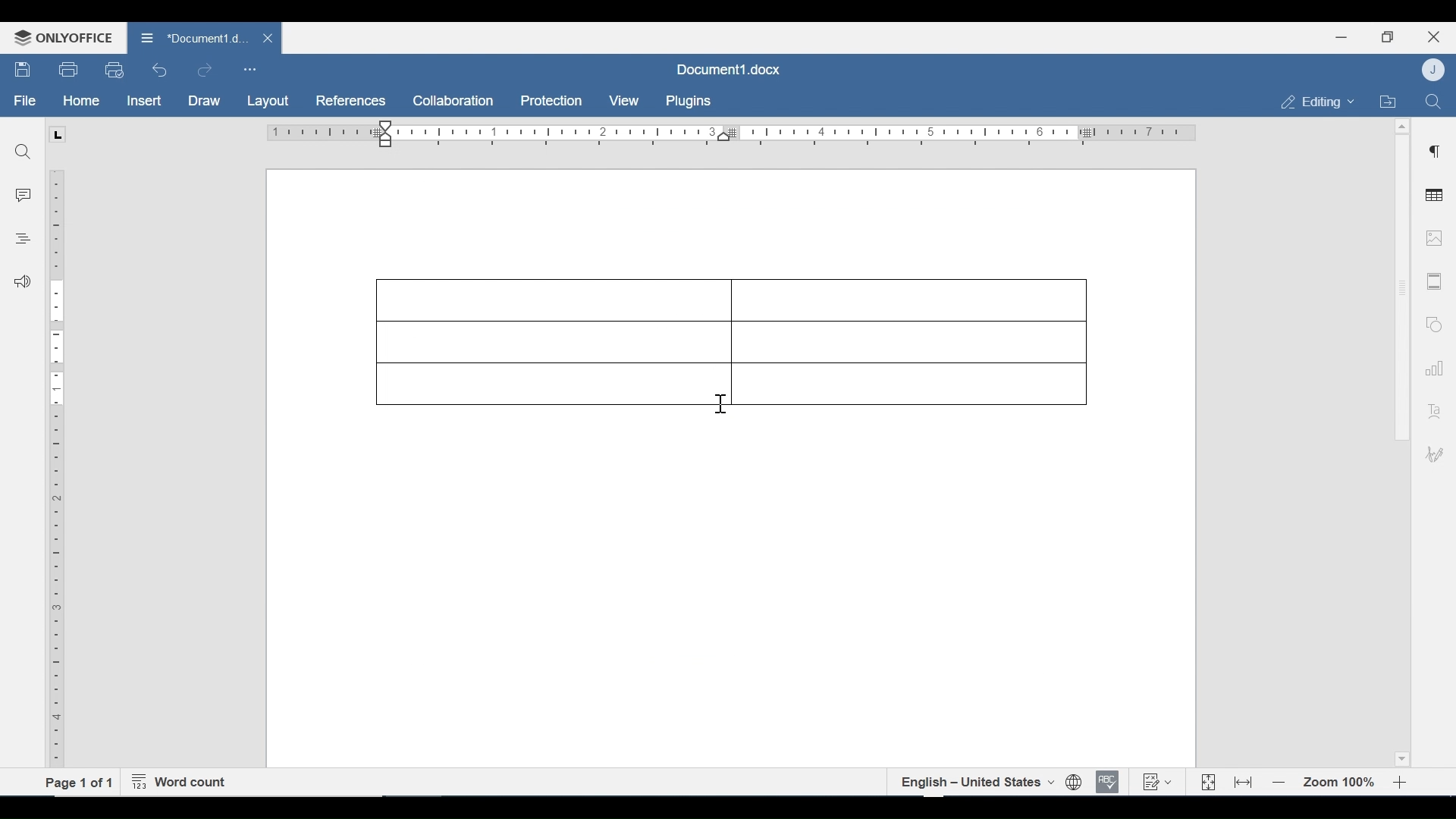  I want to click on OnlyOffice, so click(61, 37).